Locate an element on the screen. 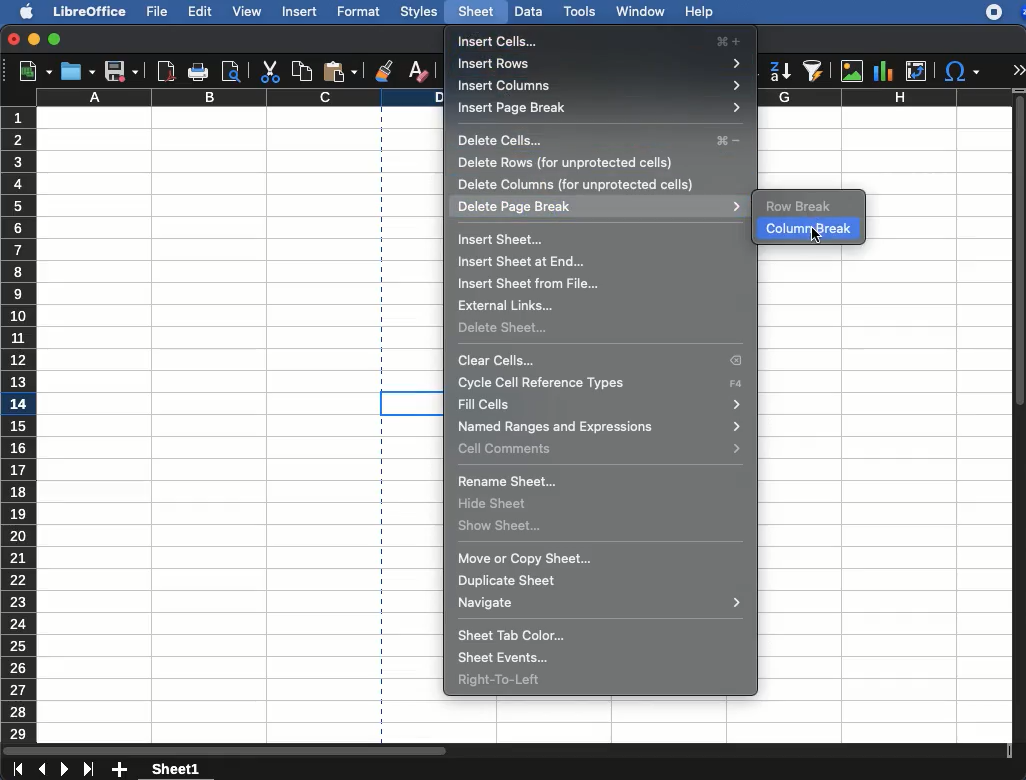  next sheet is located at coordinates (66, 770).